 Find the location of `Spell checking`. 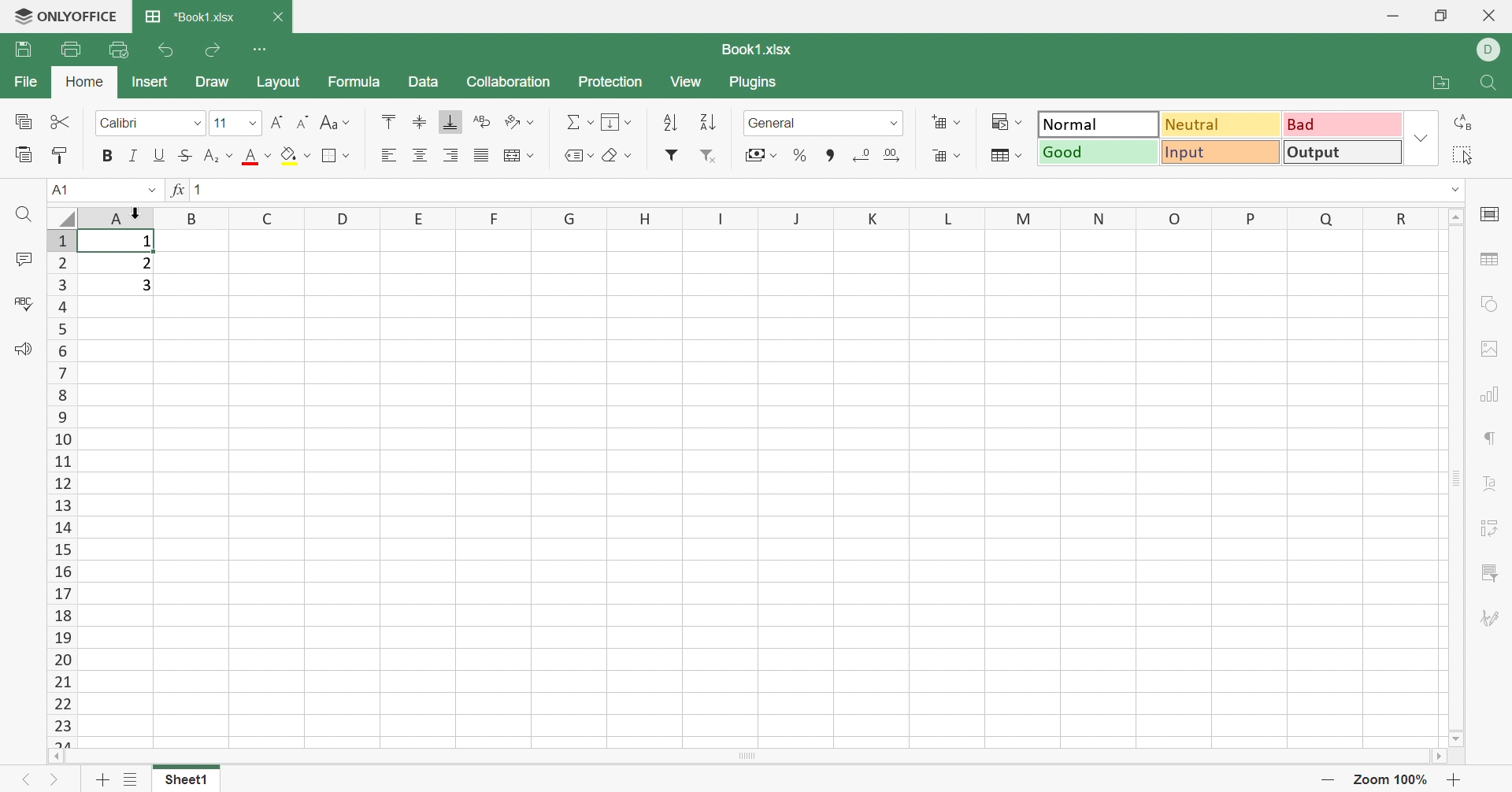

Spell checking is located at coordinates (24, 301).